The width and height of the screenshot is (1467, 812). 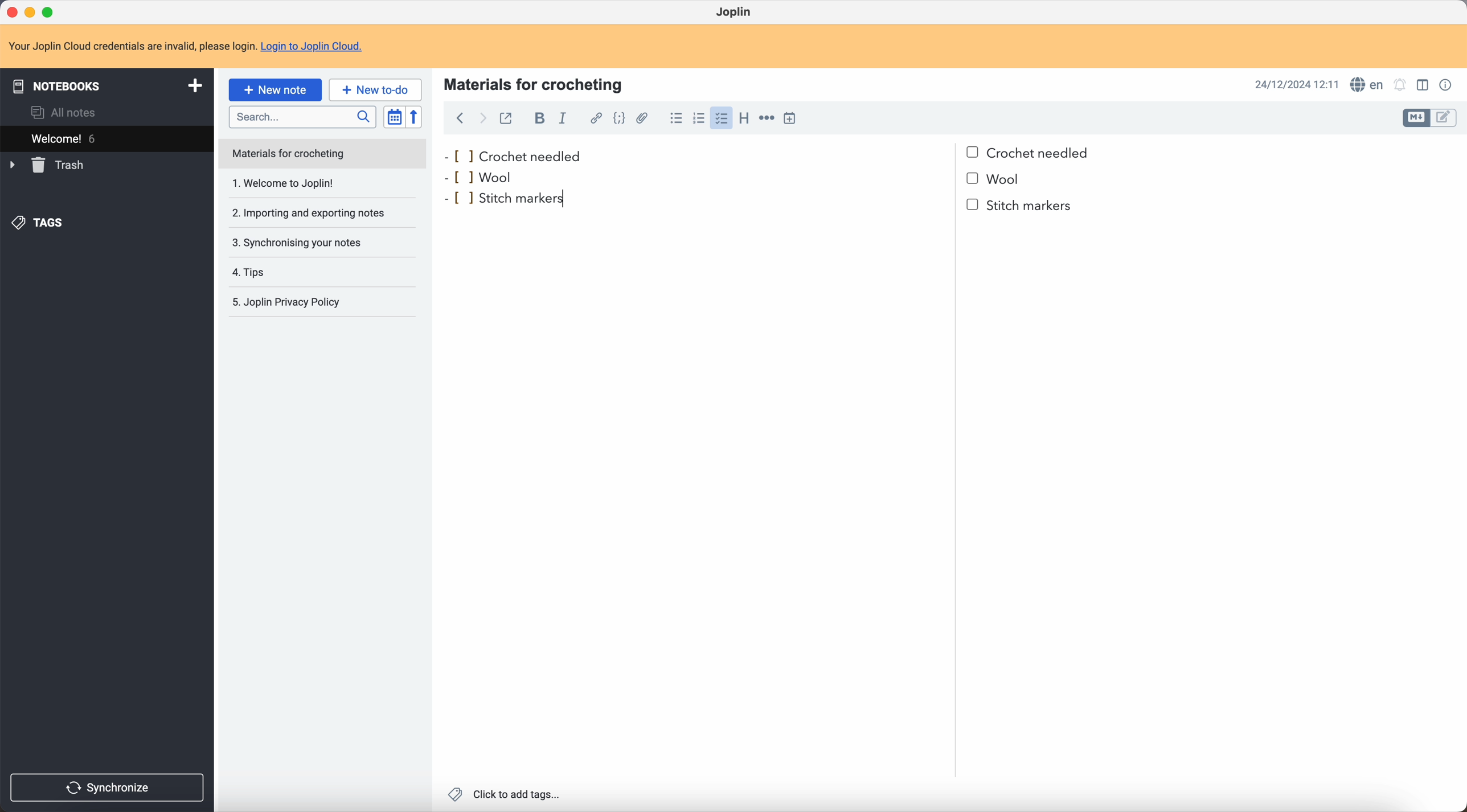 What do you see at coordinates (186, 46) in the screenshot?
I see `note` at bounding box center [186, 46].